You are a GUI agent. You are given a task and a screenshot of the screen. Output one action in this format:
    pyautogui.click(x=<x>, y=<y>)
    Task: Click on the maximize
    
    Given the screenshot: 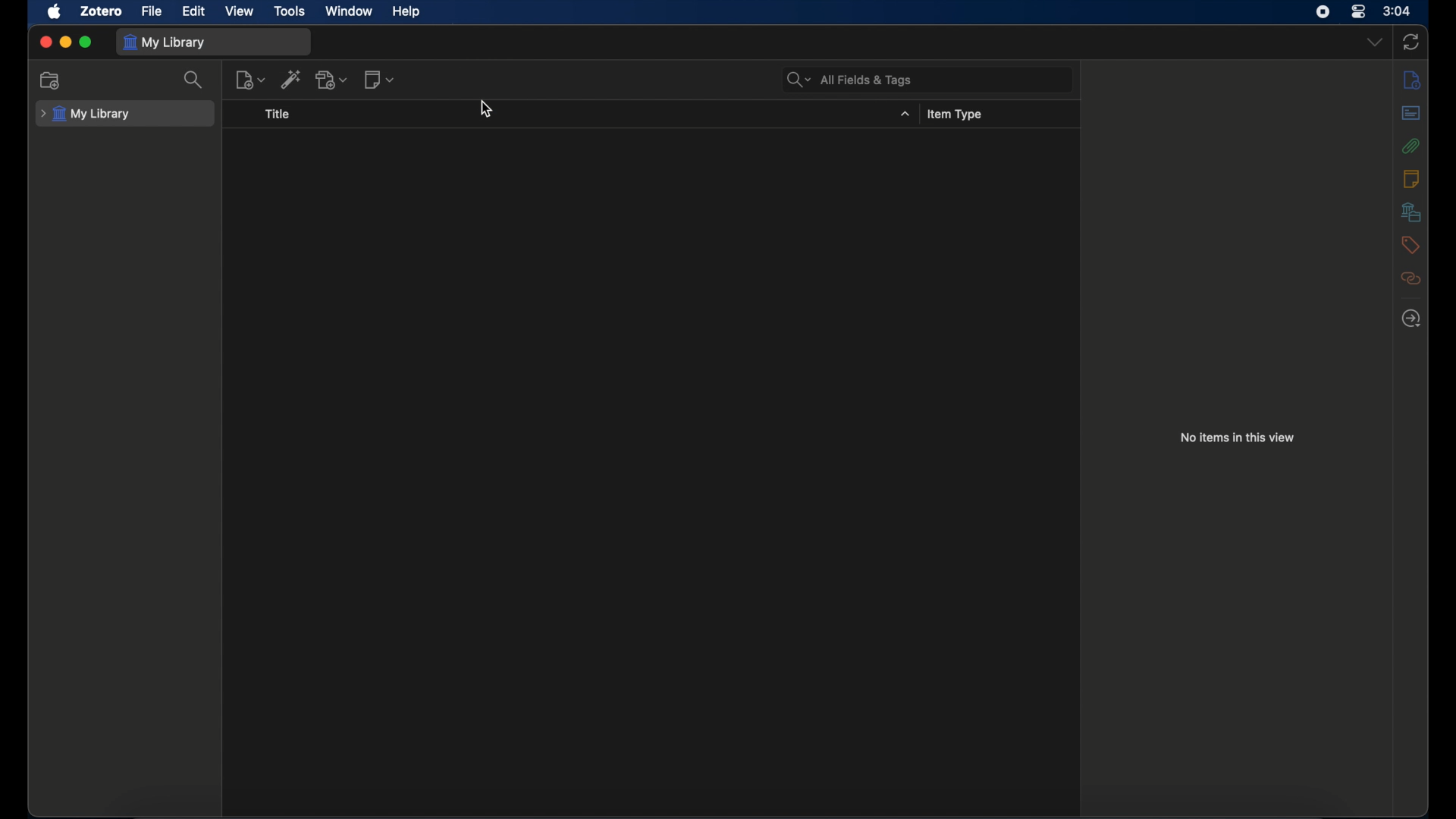 What is the action you would take?
    pyautogui.click(x=86, y=42)
    